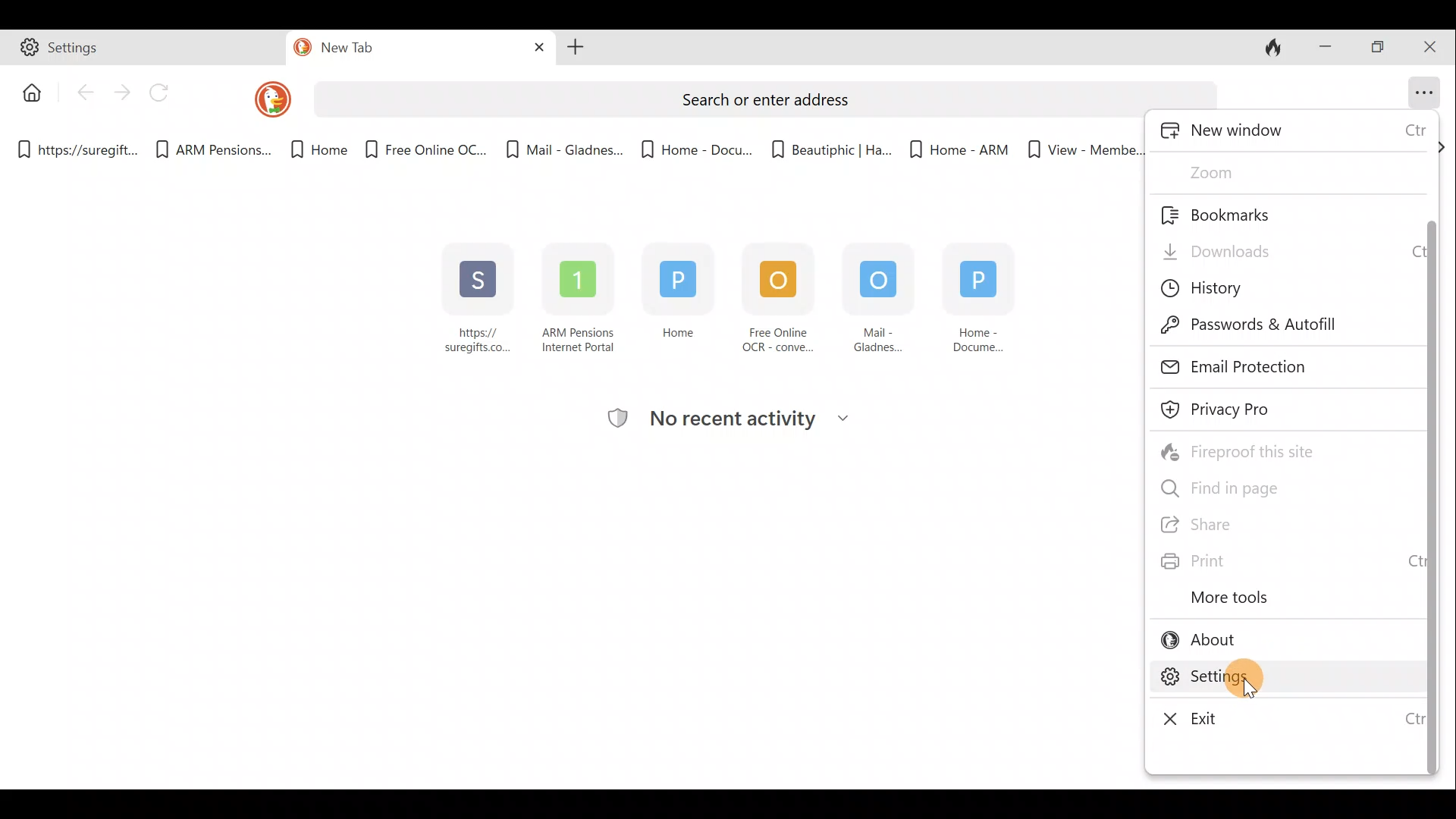 Image resolution: width=1456 pixels, height=819 pixels. What do you see at coordinates (479, 296) in the screenshot?
I see `https:// suregifts.com` at bounding box center [479, 296].